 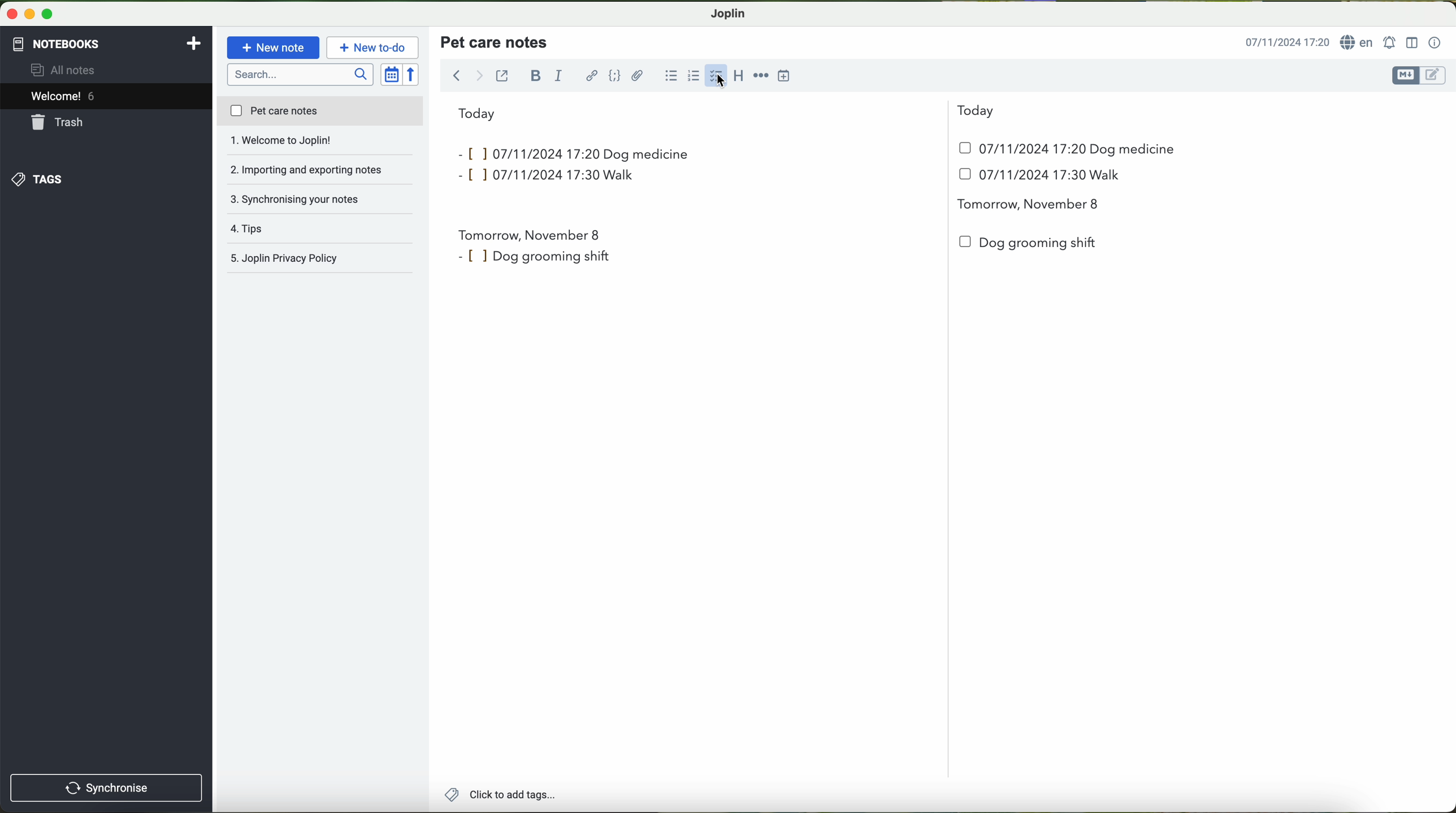 I want to click on toggle editor layout, so click(x=1412, y=42).